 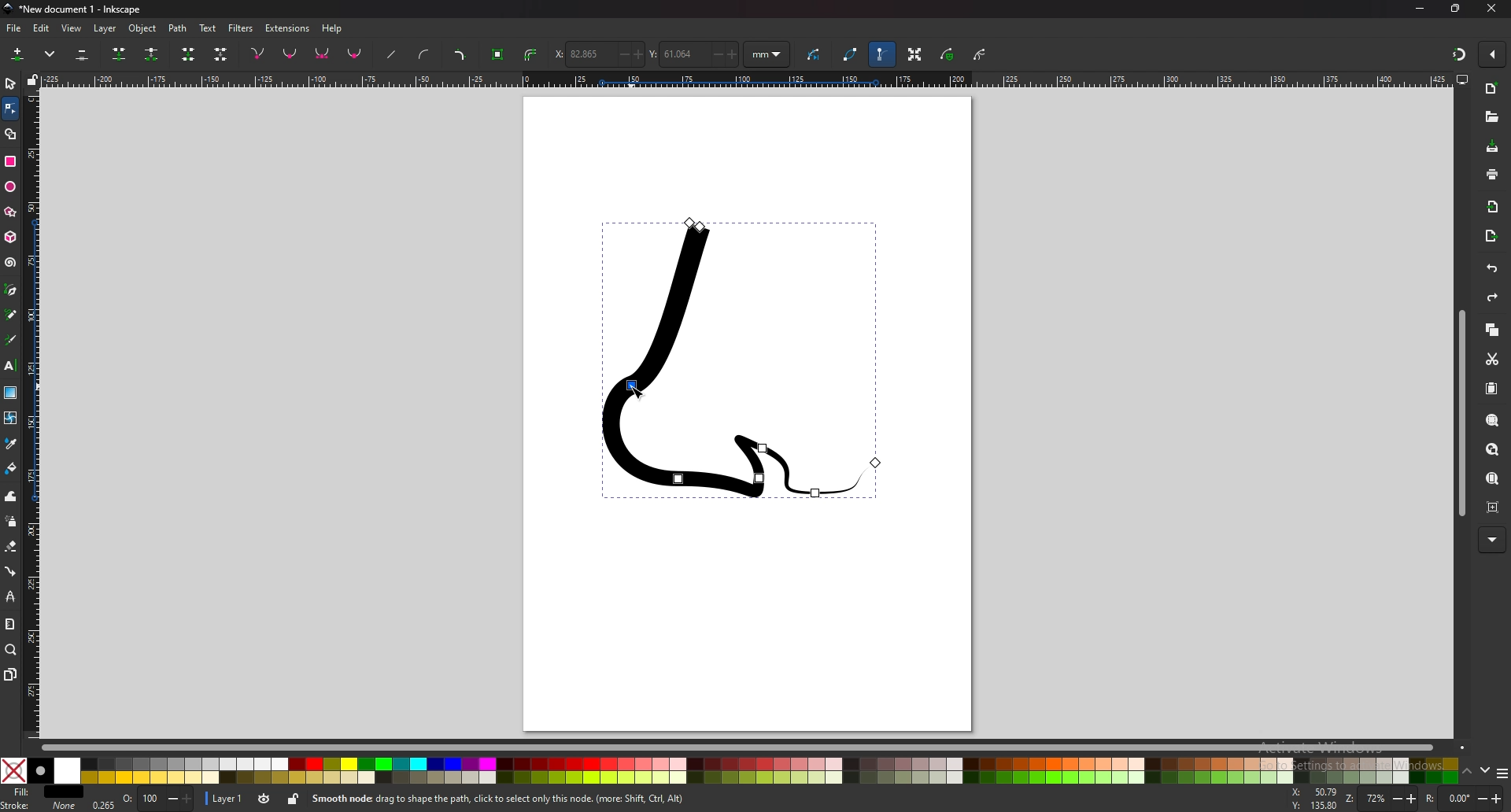 I want to click on zoom drawing, so click(x=1491, y=450).